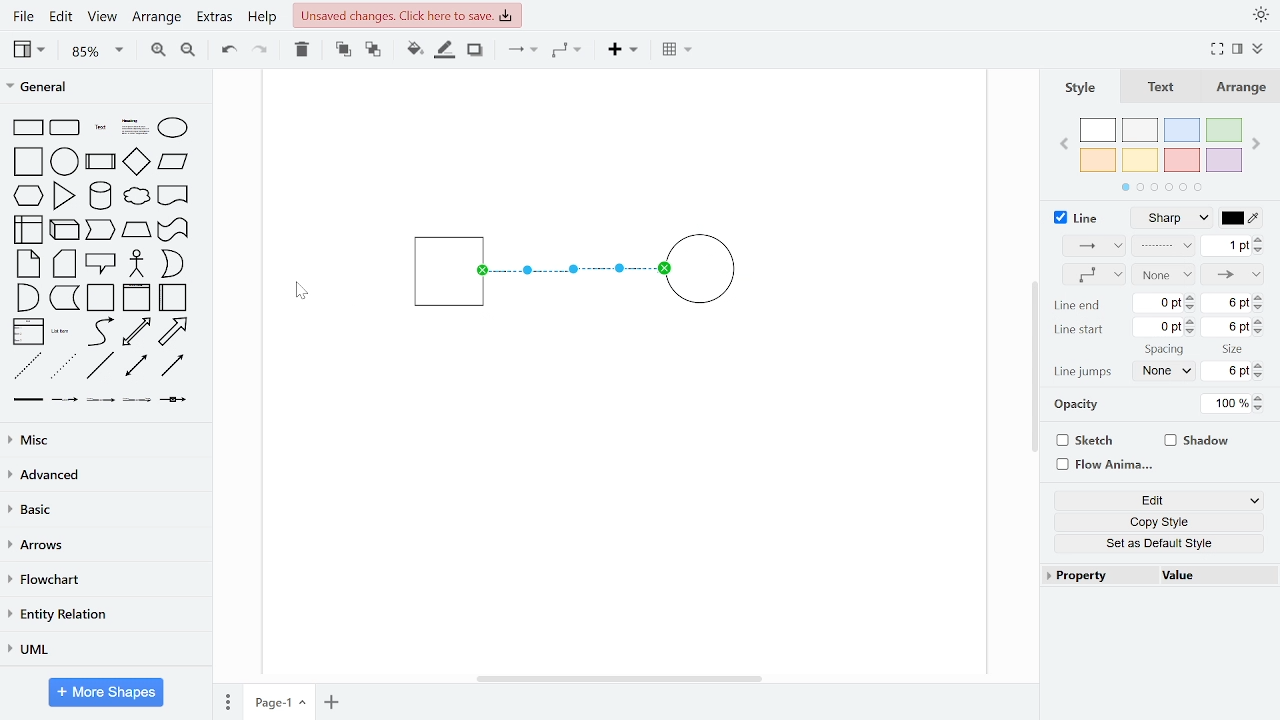 This screenshot has width=1280, height=720. What do you see at coordinates (1160, 521) in the screenshot?
I see `copy style` at bounding box center [1160, 521].